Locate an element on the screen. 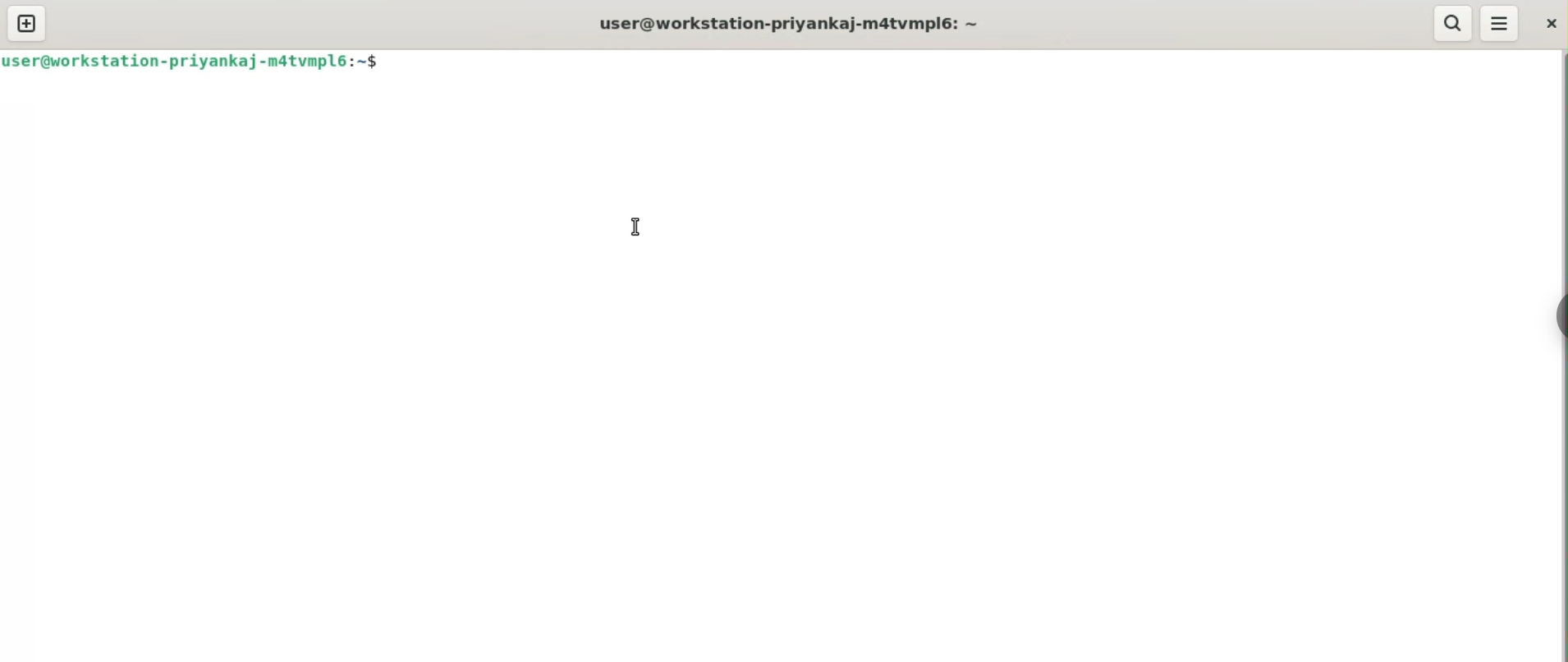  command input is located at coordinates (980, 61).